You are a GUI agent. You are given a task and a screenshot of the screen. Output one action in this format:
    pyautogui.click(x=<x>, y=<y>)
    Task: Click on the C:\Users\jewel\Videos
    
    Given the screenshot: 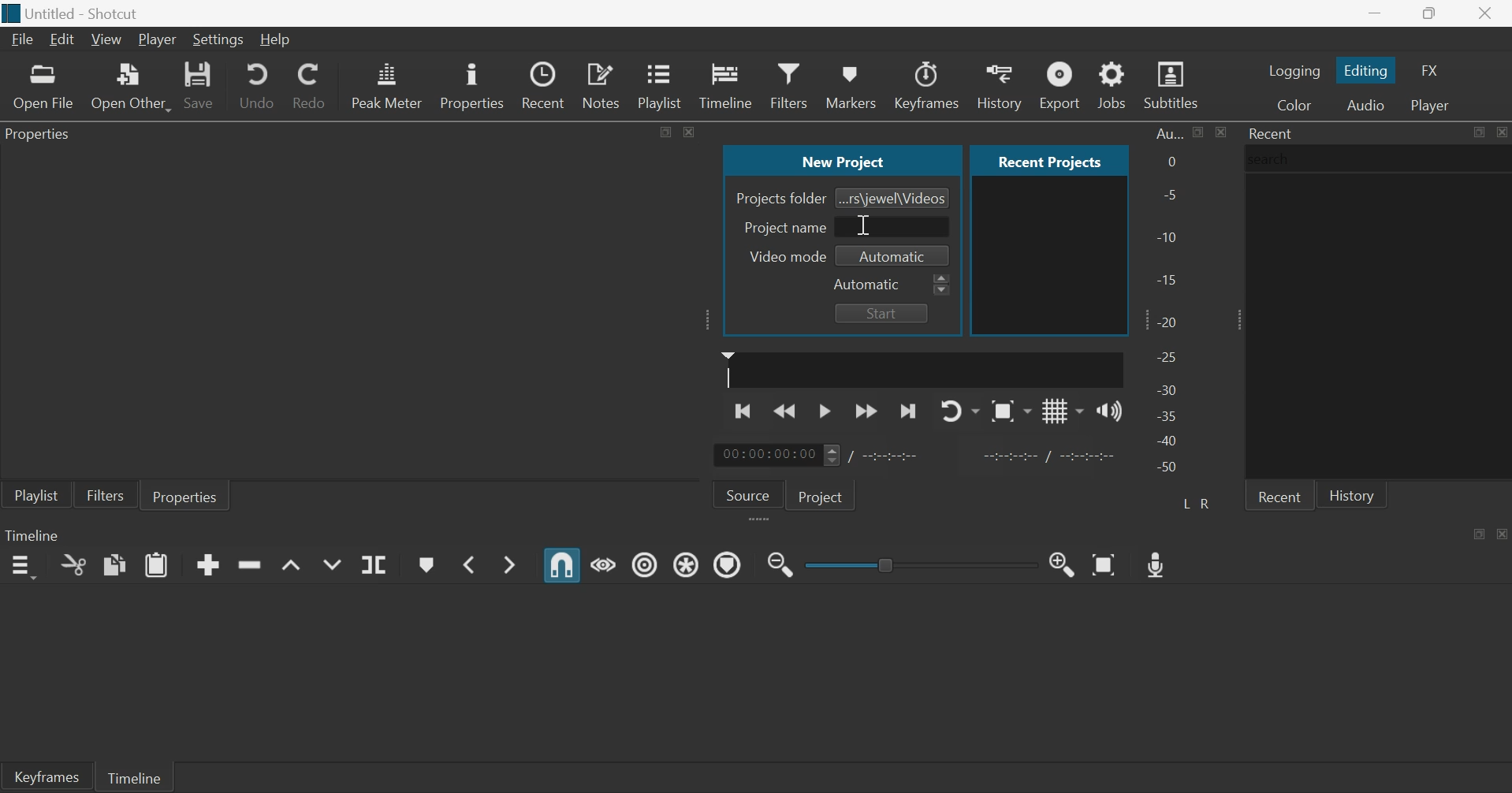 What is the action you would take?
    pyautogui.click(x=893, y=197)
    